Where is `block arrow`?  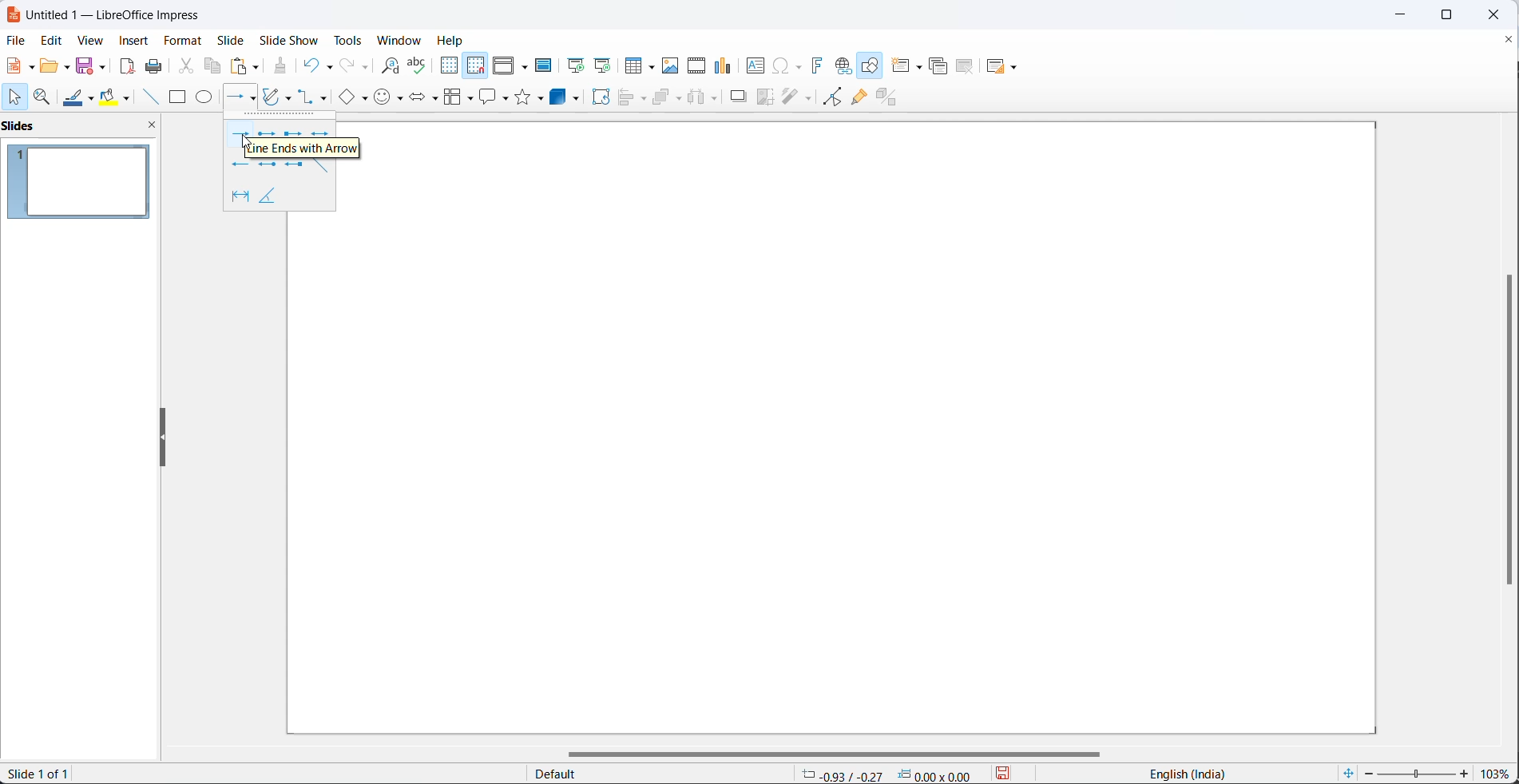 block arrow is located at coordinates (420, 99).